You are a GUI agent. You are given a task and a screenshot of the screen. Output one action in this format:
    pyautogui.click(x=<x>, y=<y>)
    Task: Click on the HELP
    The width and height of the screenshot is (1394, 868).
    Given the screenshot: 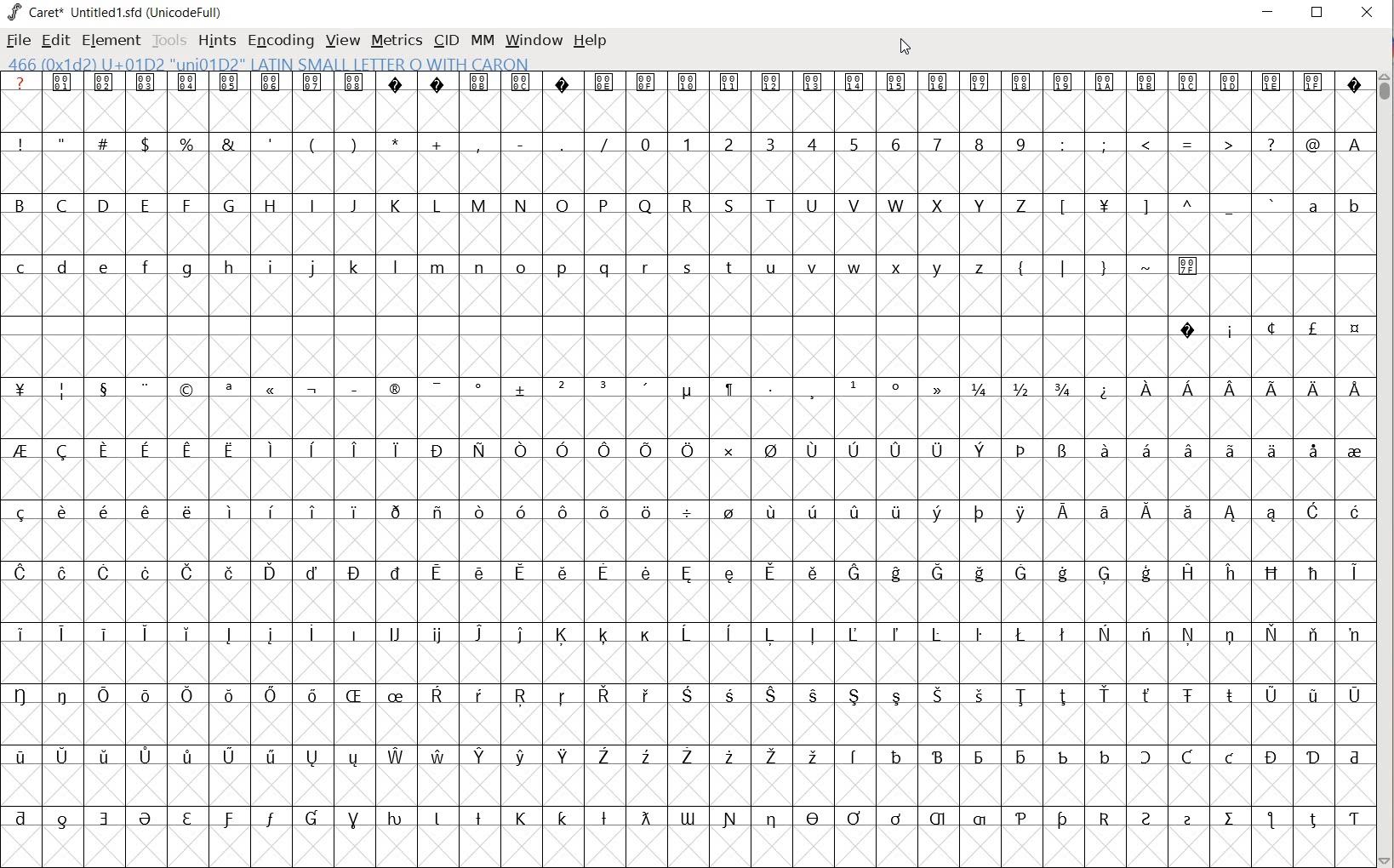 What is the action you would take?
    pyautogui.click(x=591, y=40)
    